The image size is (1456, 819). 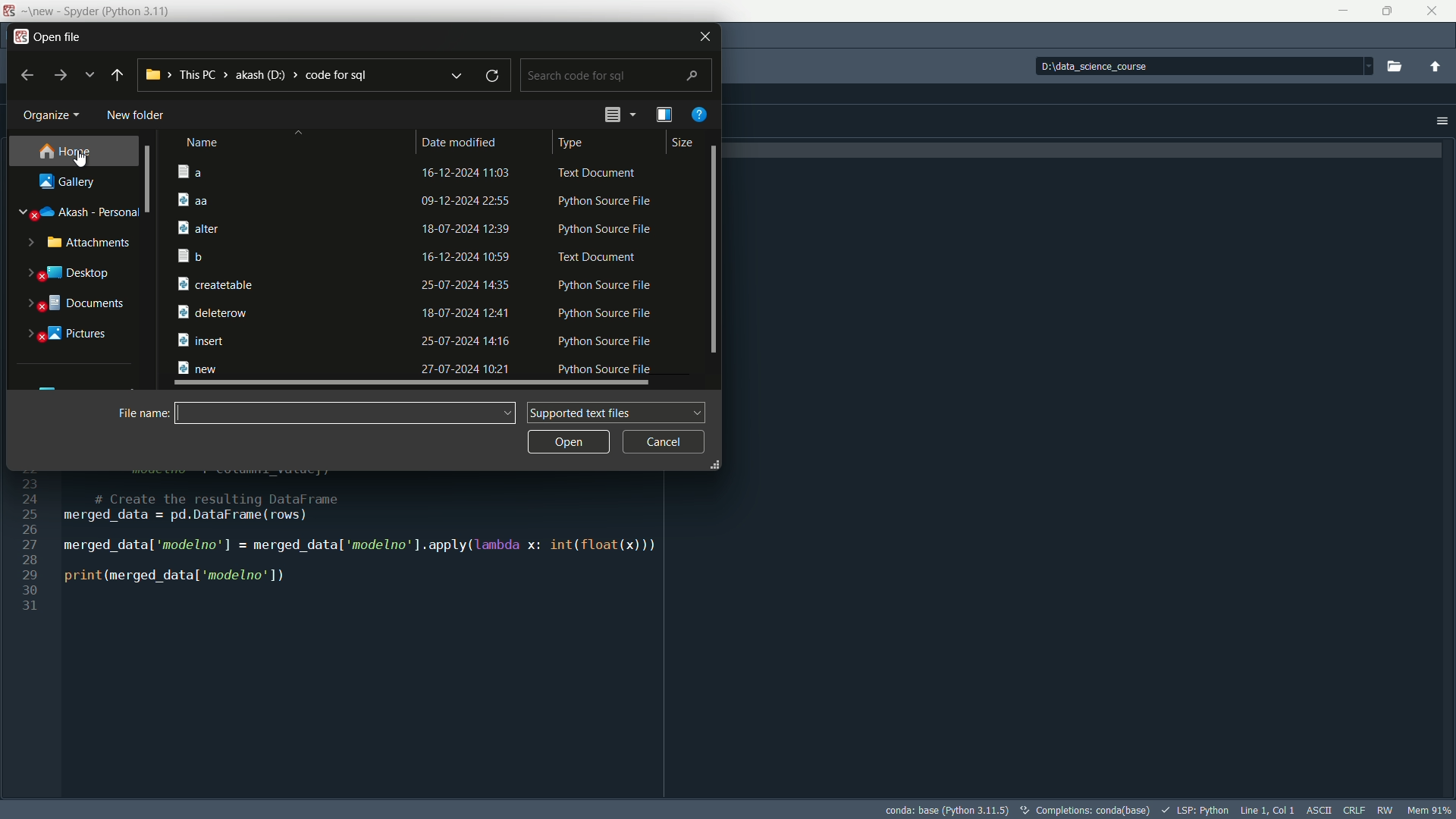 I want to click on expand, so click(x=21, y=217).